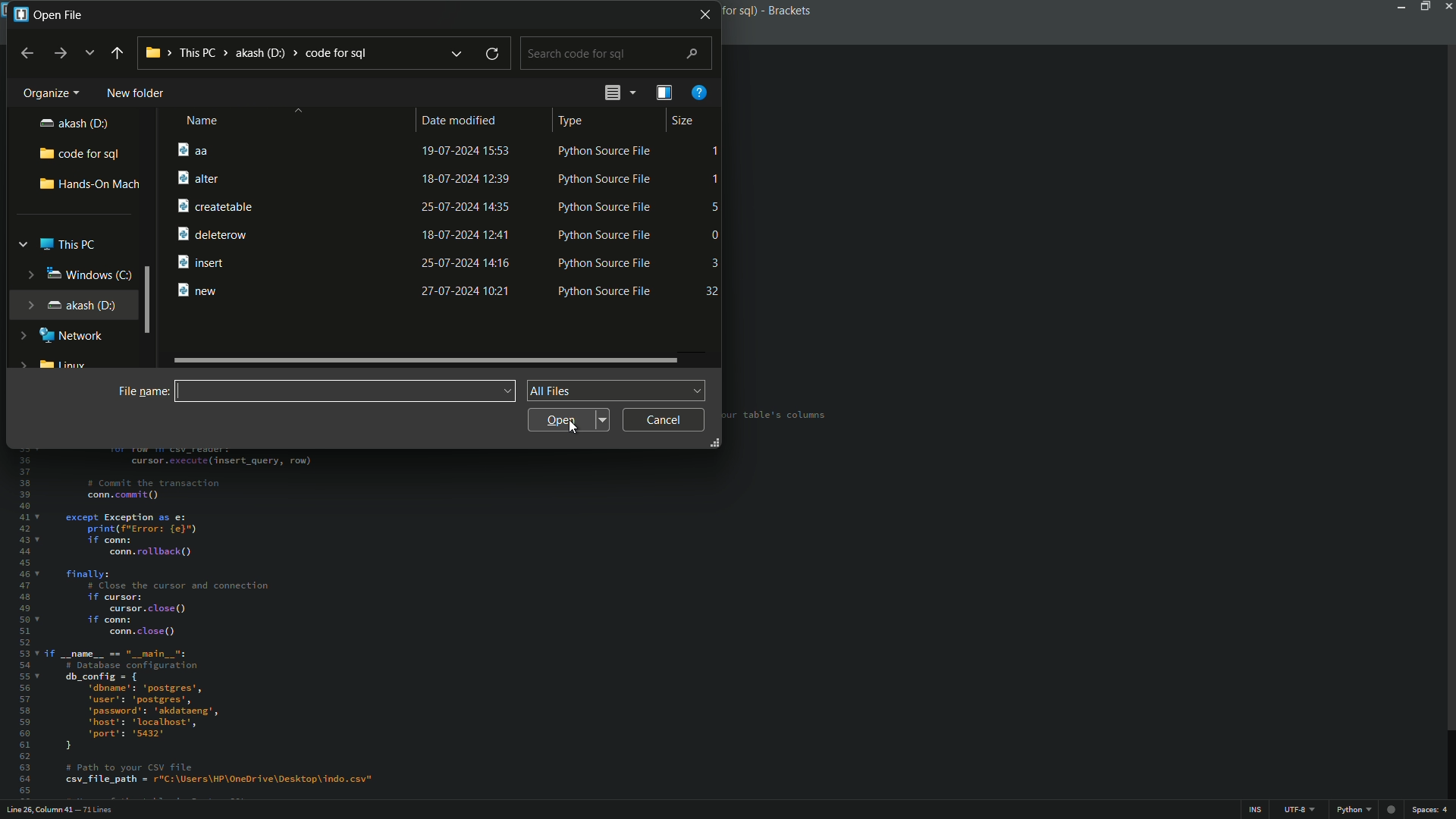 This screenshot has height=819, width=1456. I want to click on get help, so click(700, 93).